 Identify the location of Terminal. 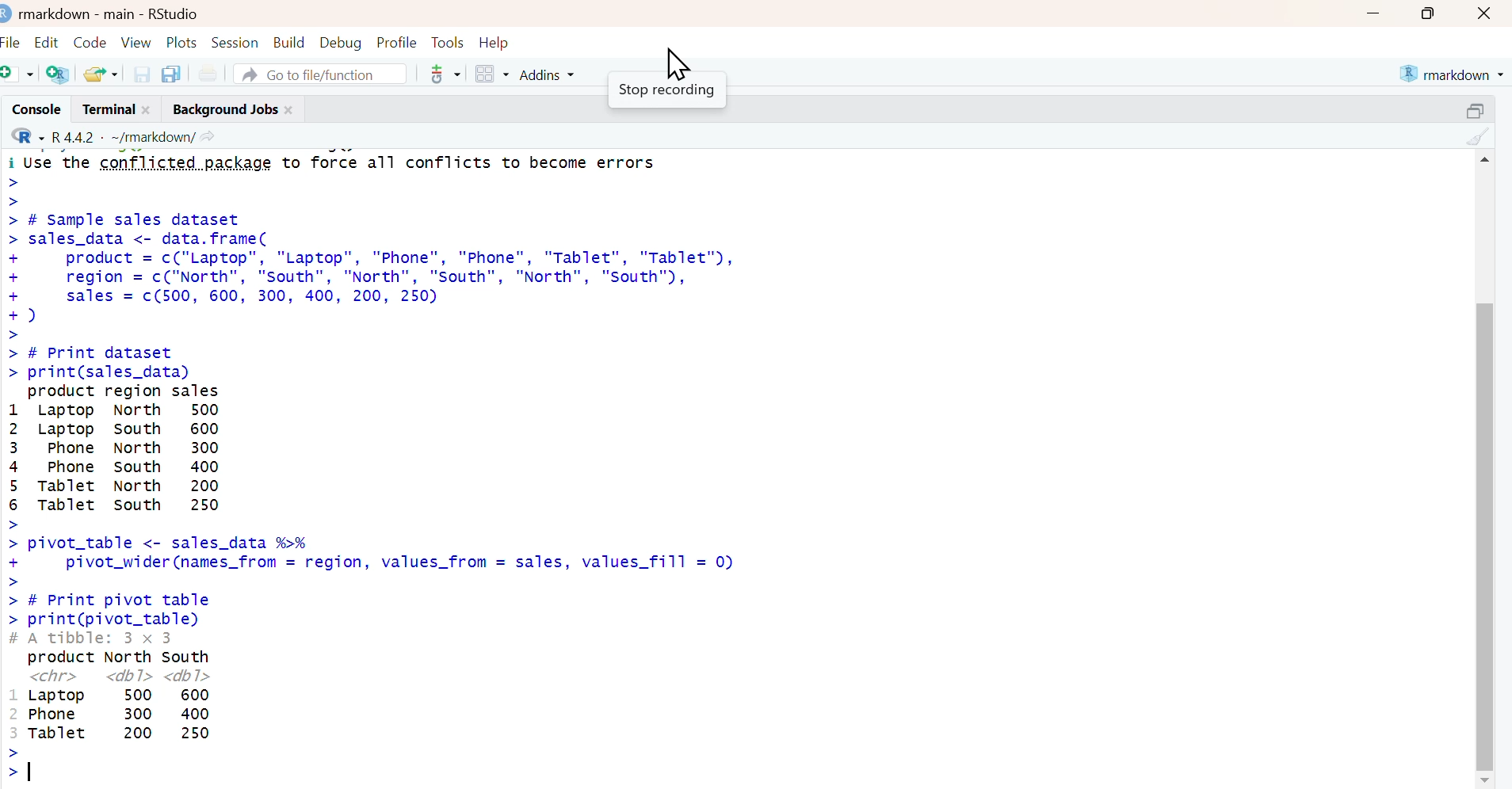
(105, 109).